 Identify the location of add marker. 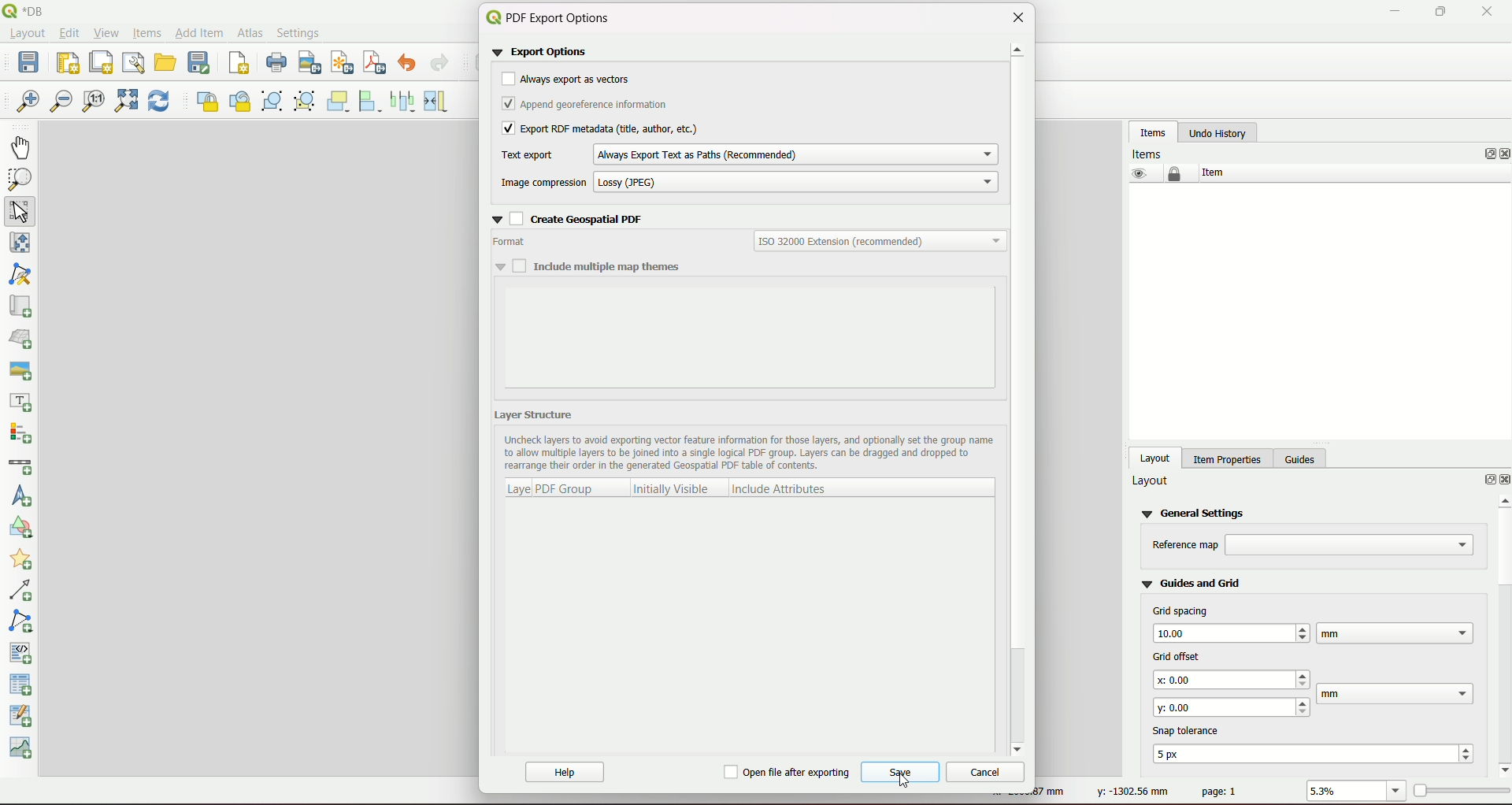
(24, 562).